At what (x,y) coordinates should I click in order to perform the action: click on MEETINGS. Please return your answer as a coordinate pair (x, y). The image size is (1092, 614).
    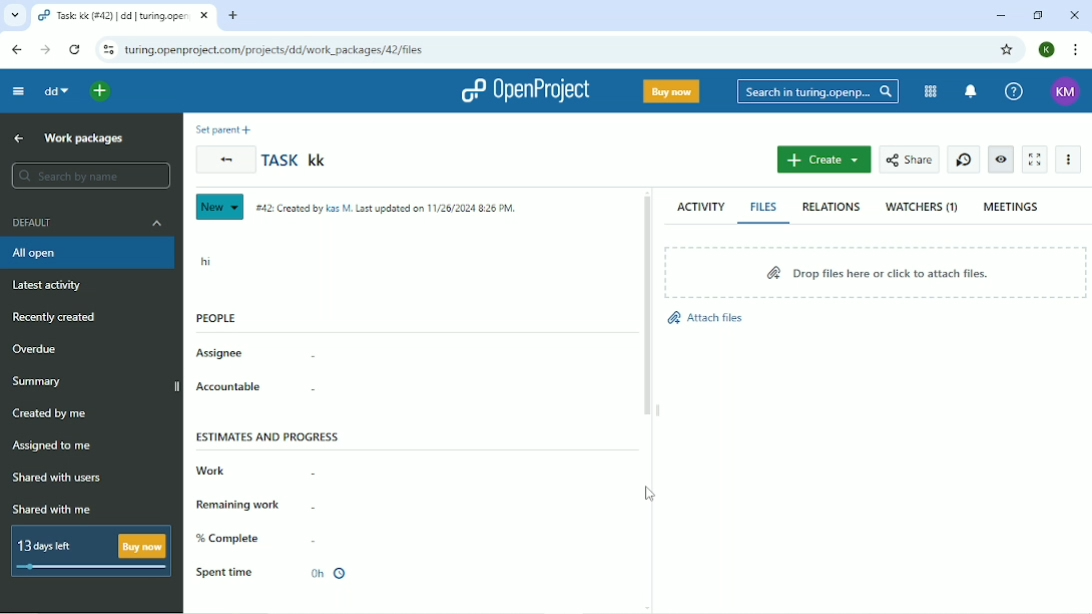
    Looking at the image, I should click on (1012, 207).